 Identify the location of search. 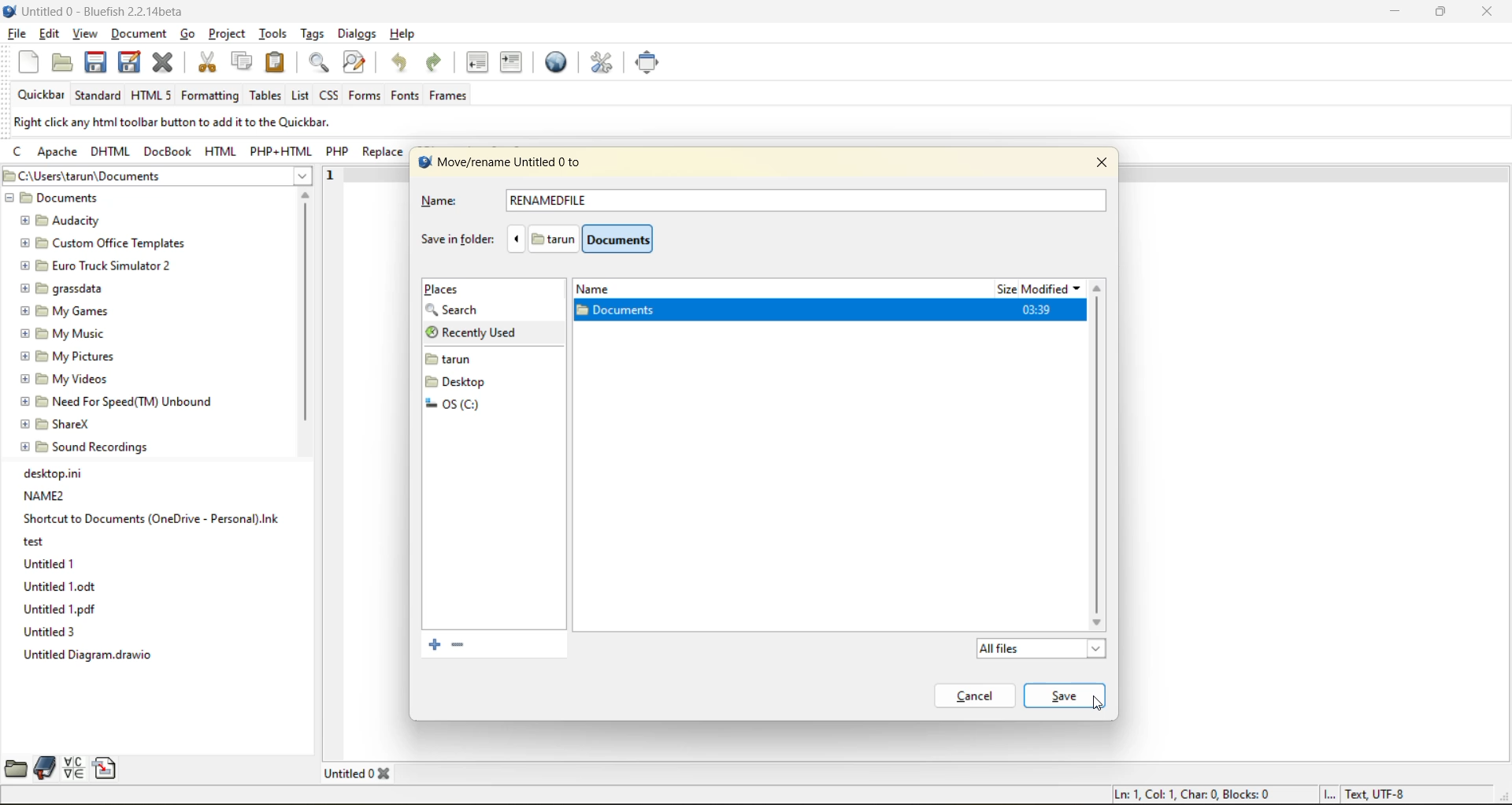
(465, 310).